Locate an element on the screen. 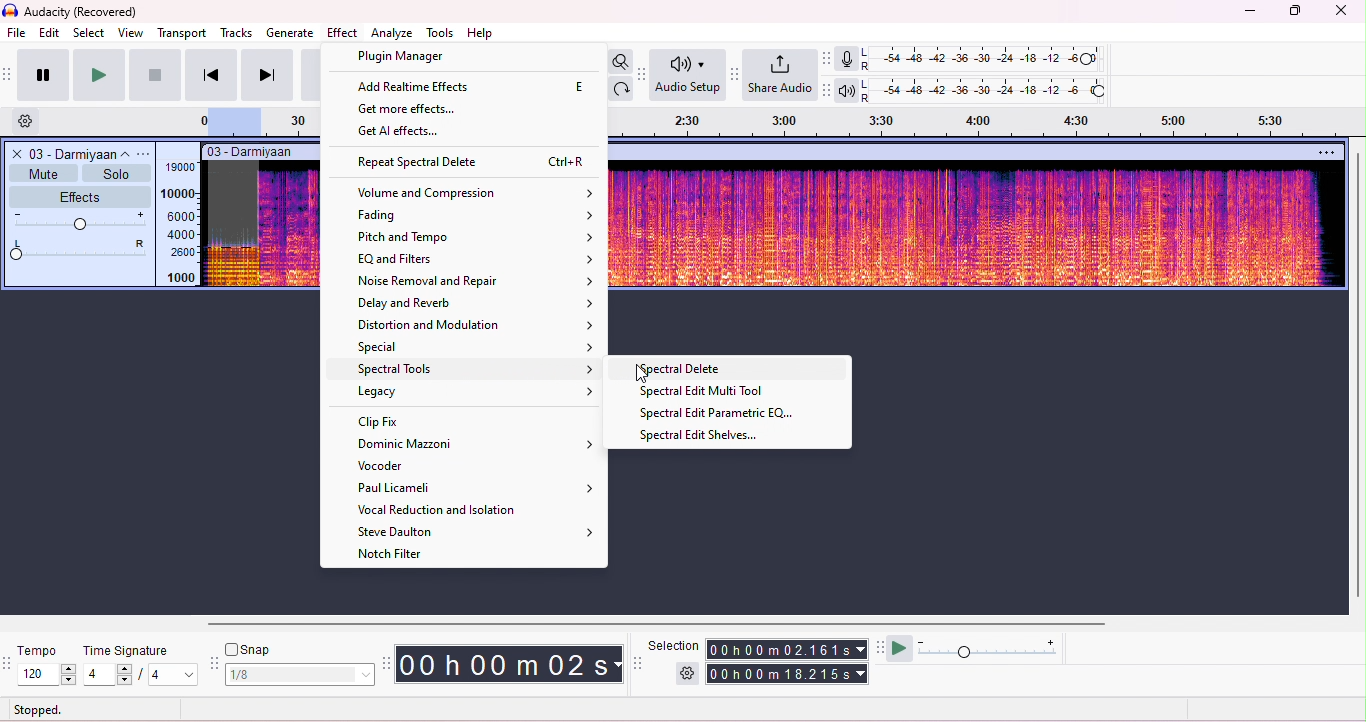 This screenshot has height=722, width=1366. selection settings is located at coordinates (688, 673).